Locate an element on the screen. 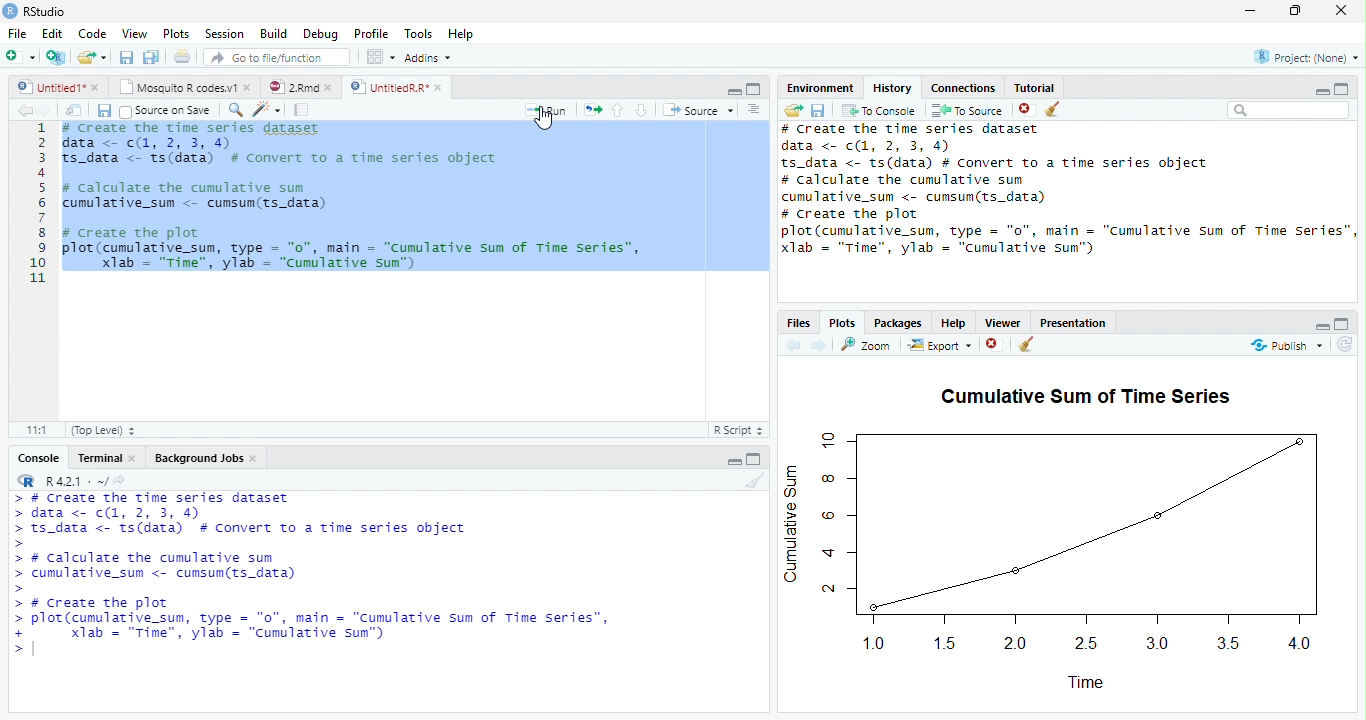 Image resolution: width=1366 pixels, height=720 pixels. Files is located at coordinates (592, 110).